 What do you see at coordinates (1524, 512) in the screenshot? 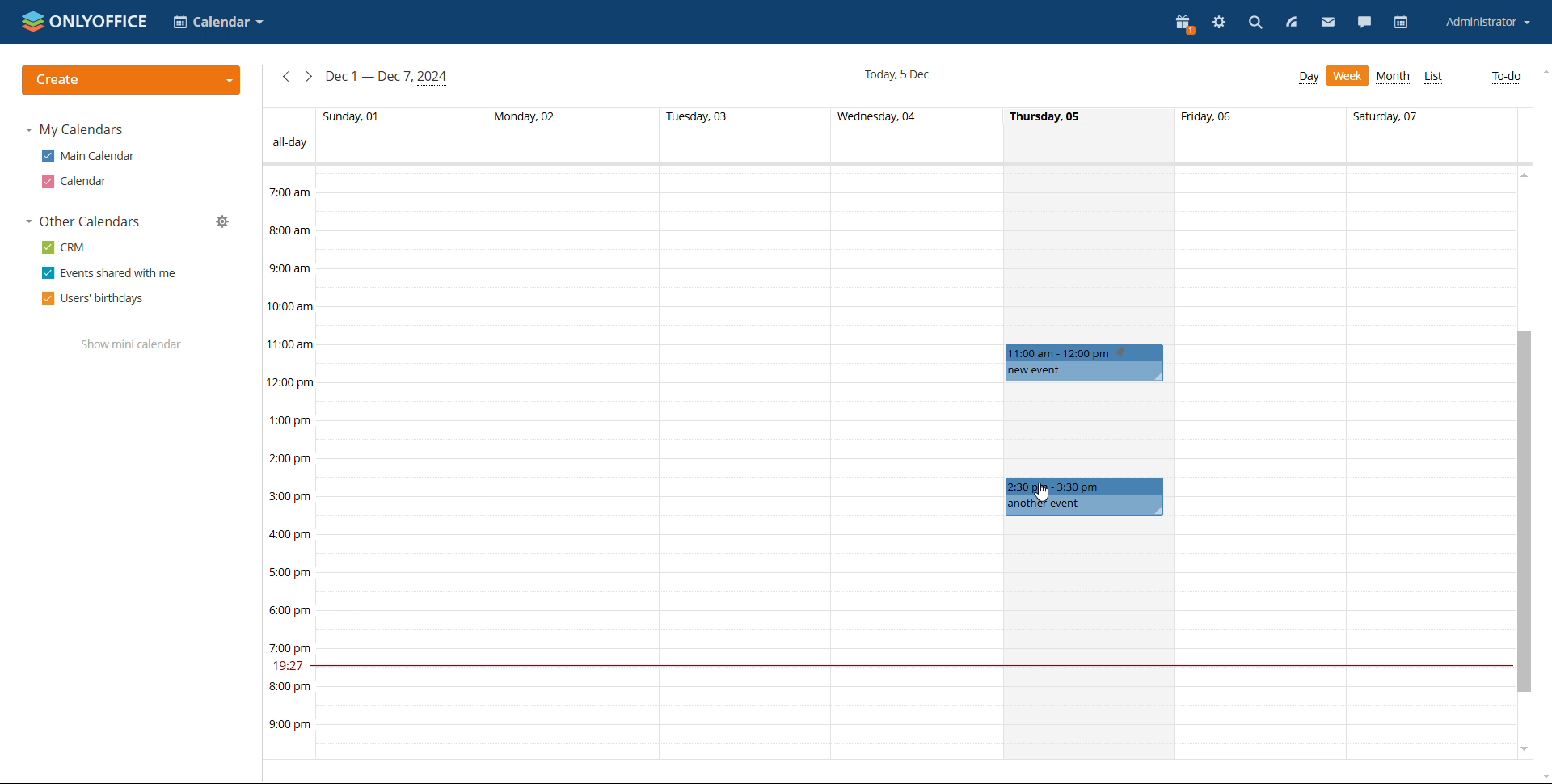
I see `scrollbar` at bounding box center [1524, 512].